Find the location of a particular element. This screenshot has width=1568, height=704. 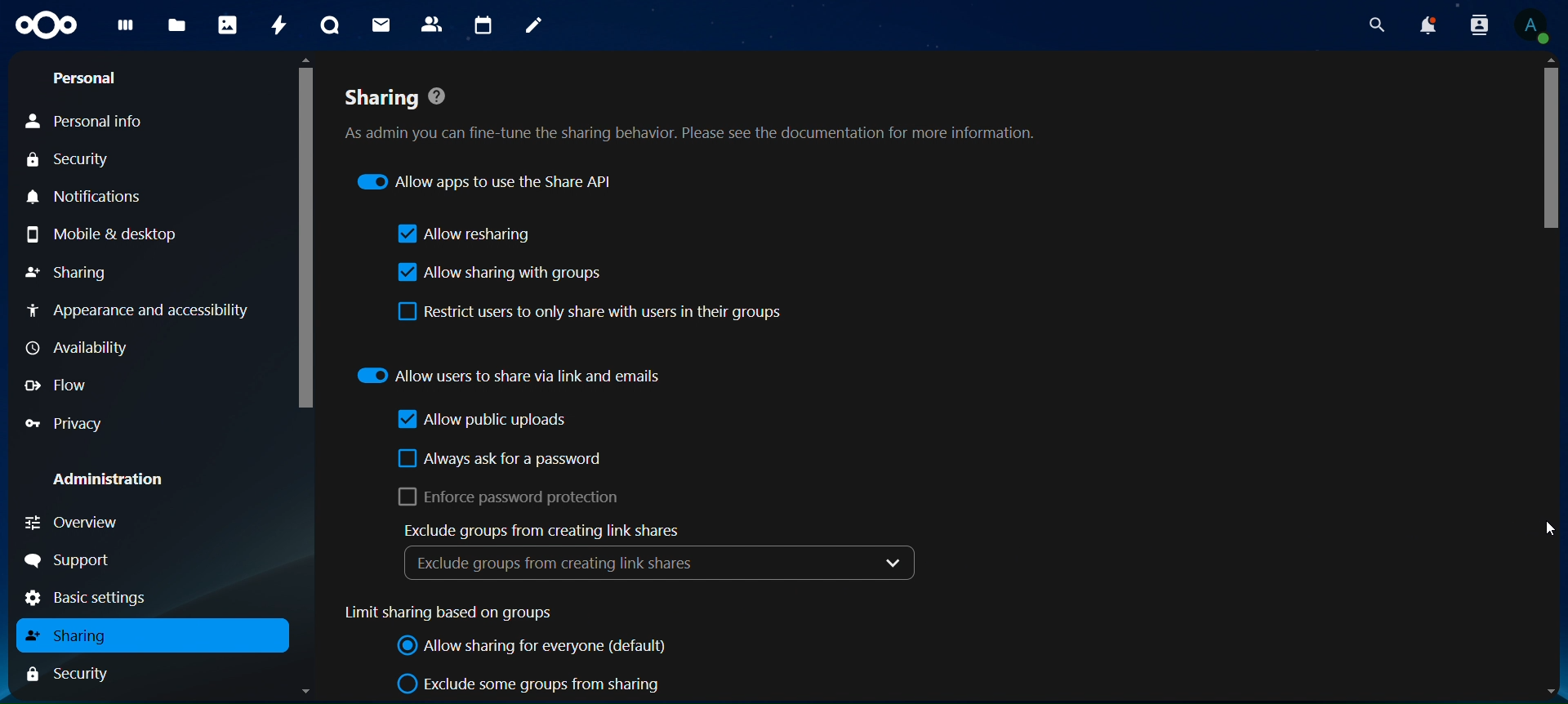

security is located at coordinates (68, 672).